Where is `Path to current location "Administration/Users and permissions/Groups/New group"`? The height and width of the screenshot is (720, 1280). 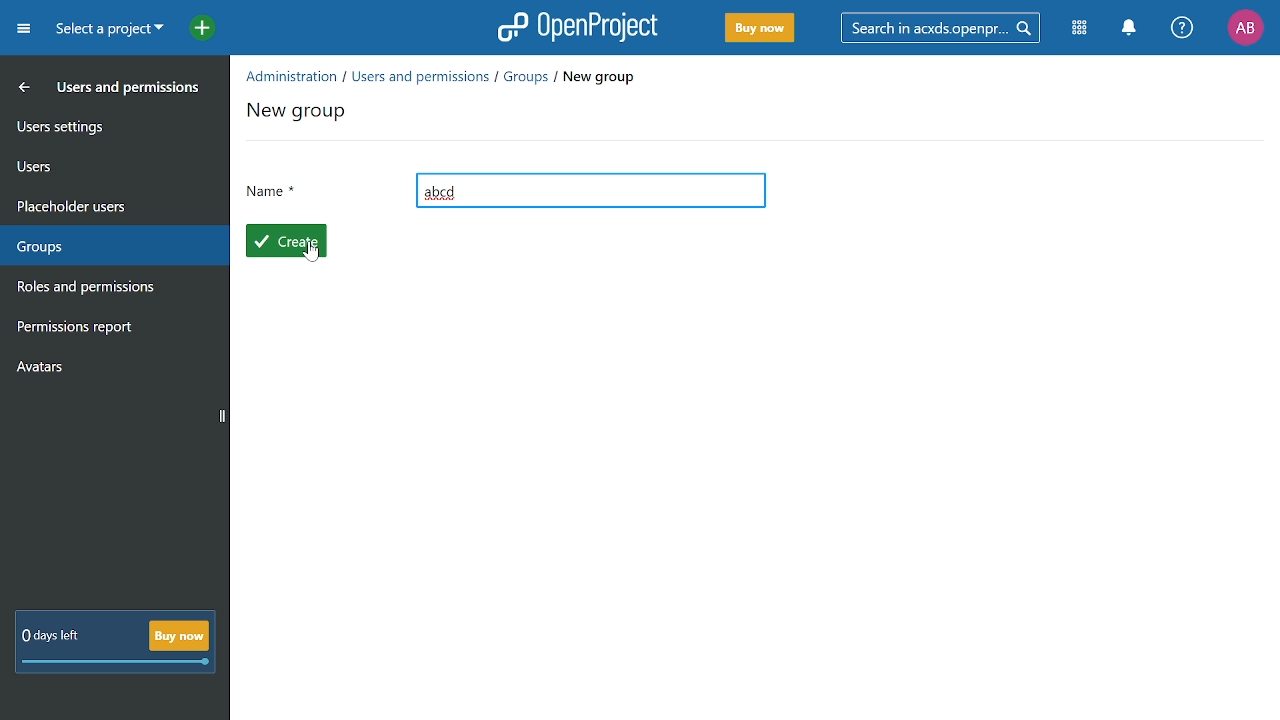
Path to current location "Administration/Users and permissions/Groups/New group" is located at coordinates (442, 77).